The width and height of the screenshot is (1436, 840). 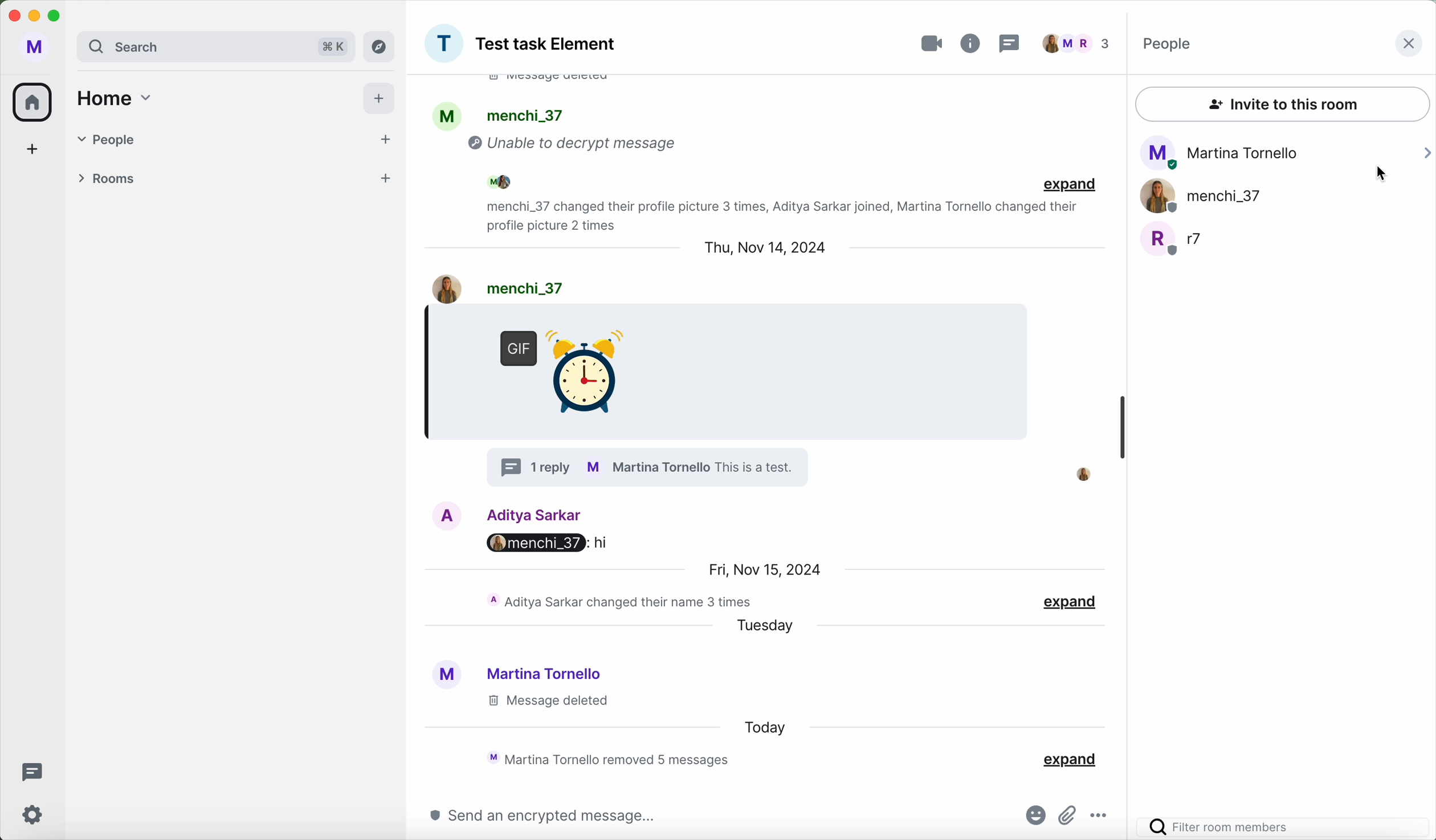 I want to click on profile picture, so click(x=443, y=44).